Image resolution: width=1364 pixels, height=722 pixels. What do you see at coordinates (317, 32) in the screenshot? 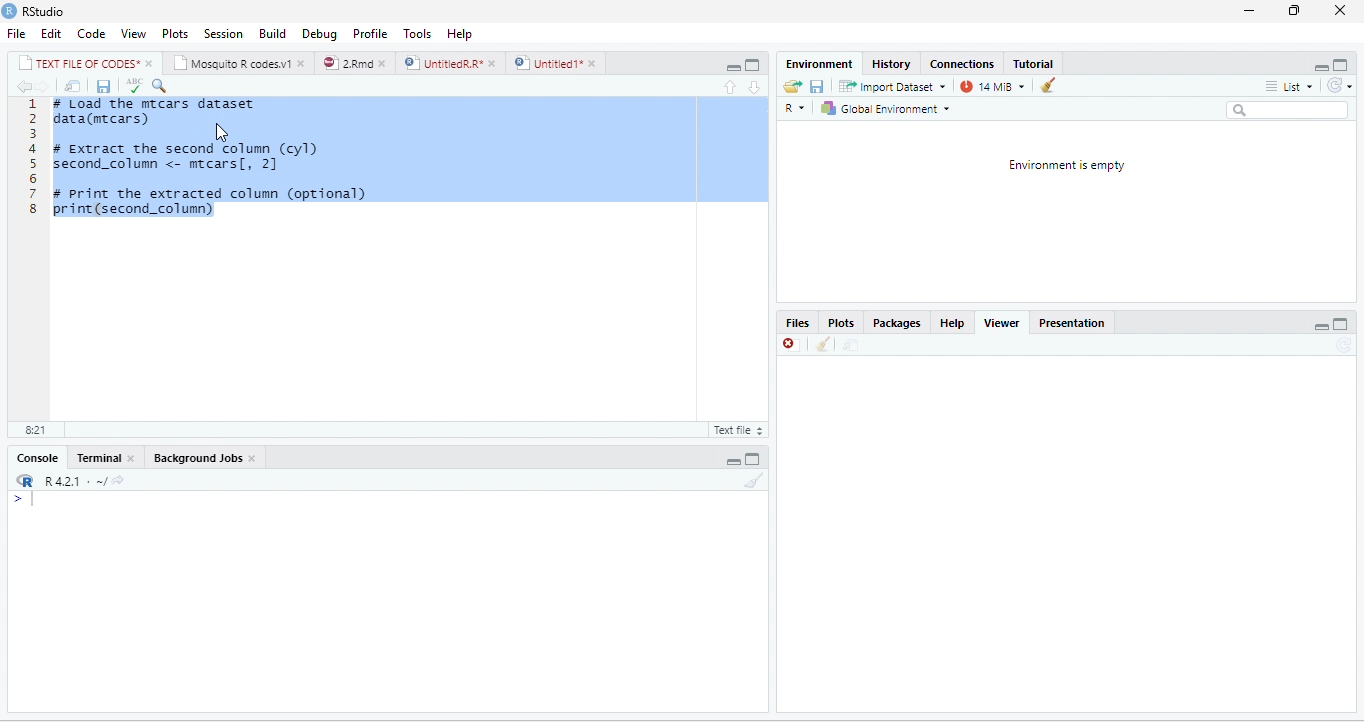
I see `Debug` at bounding box center [317, 32].